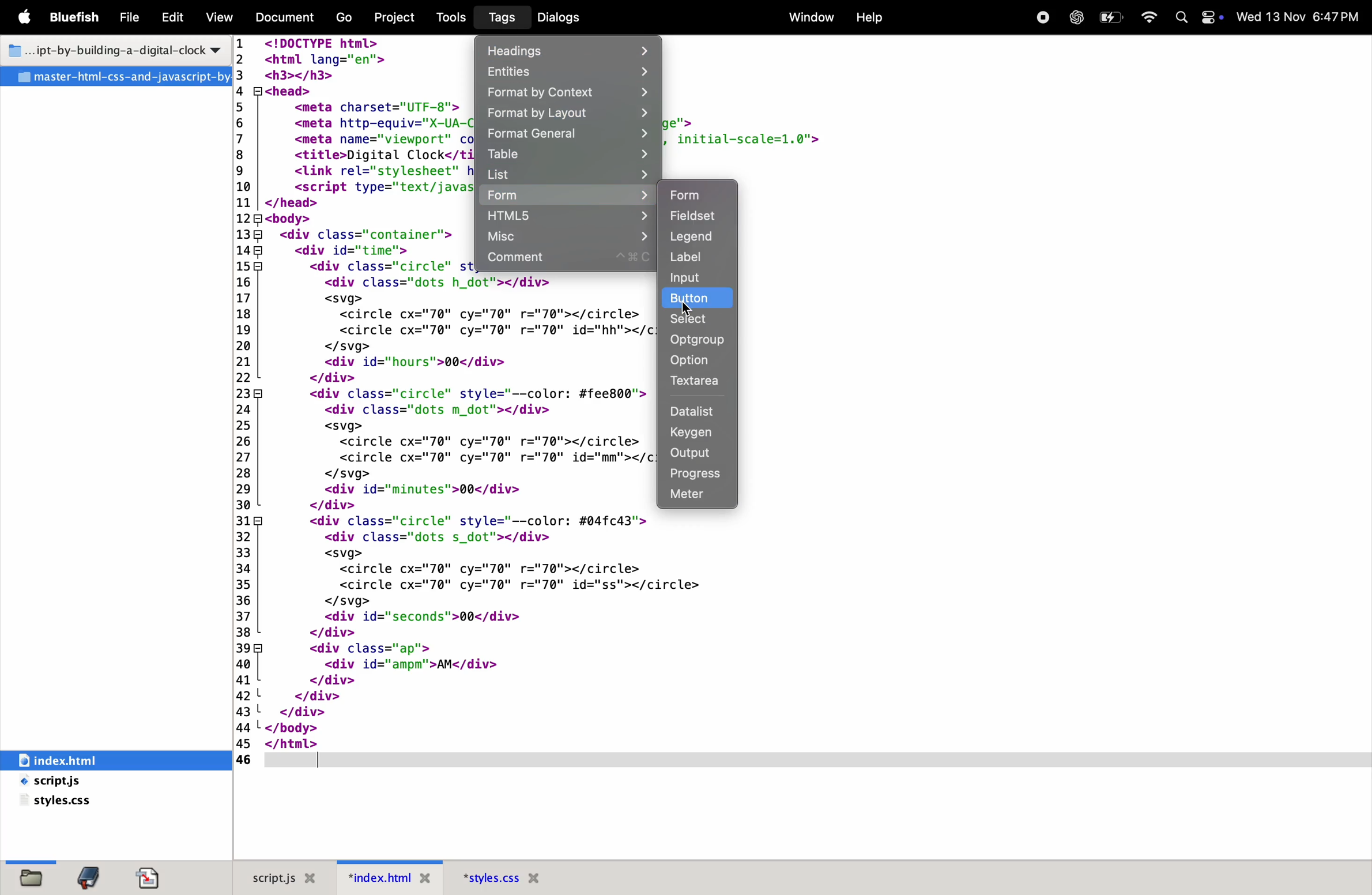  Describe the element at coordinates (1302, 16) in the screenshot. I see `Date and time` at that location.